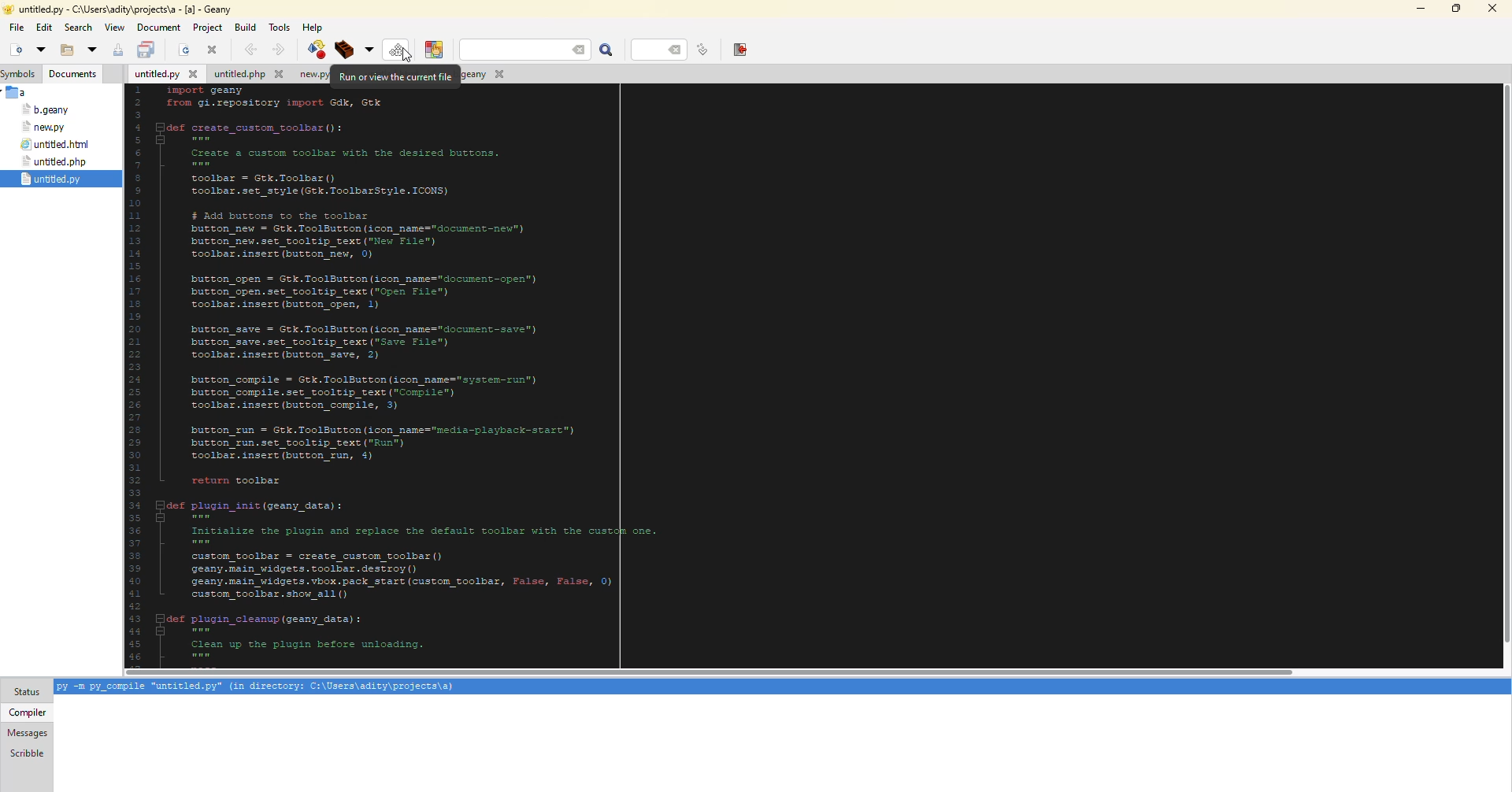 This screenshot has width=1512, height=792. What do you see at coordinates (213, 50) in the screenshot?
I see `close` at bounding box center [213, 50].